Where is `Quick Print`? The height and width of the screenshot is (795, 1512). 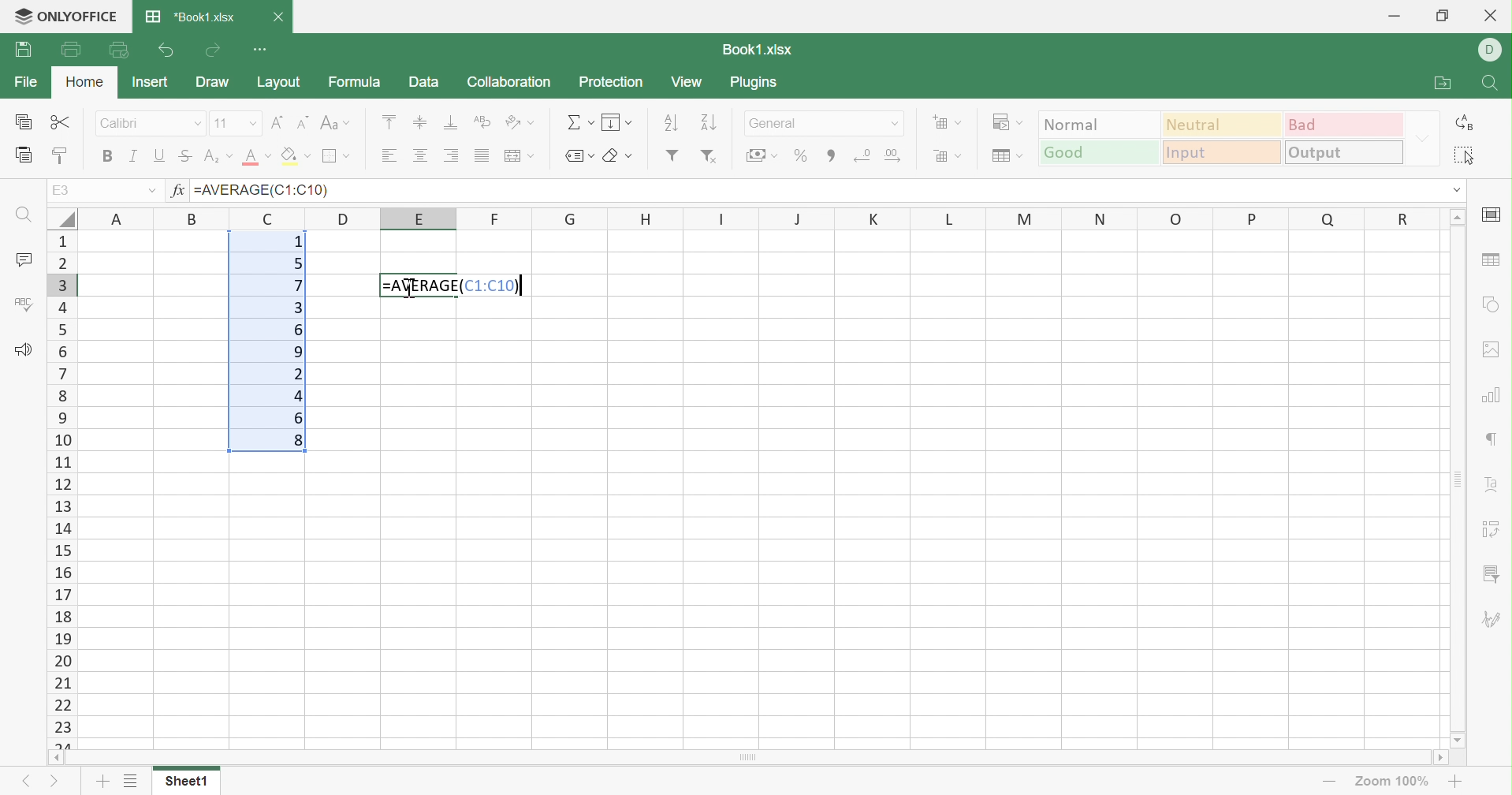
Quick Print is located at coordinates (117, 50).